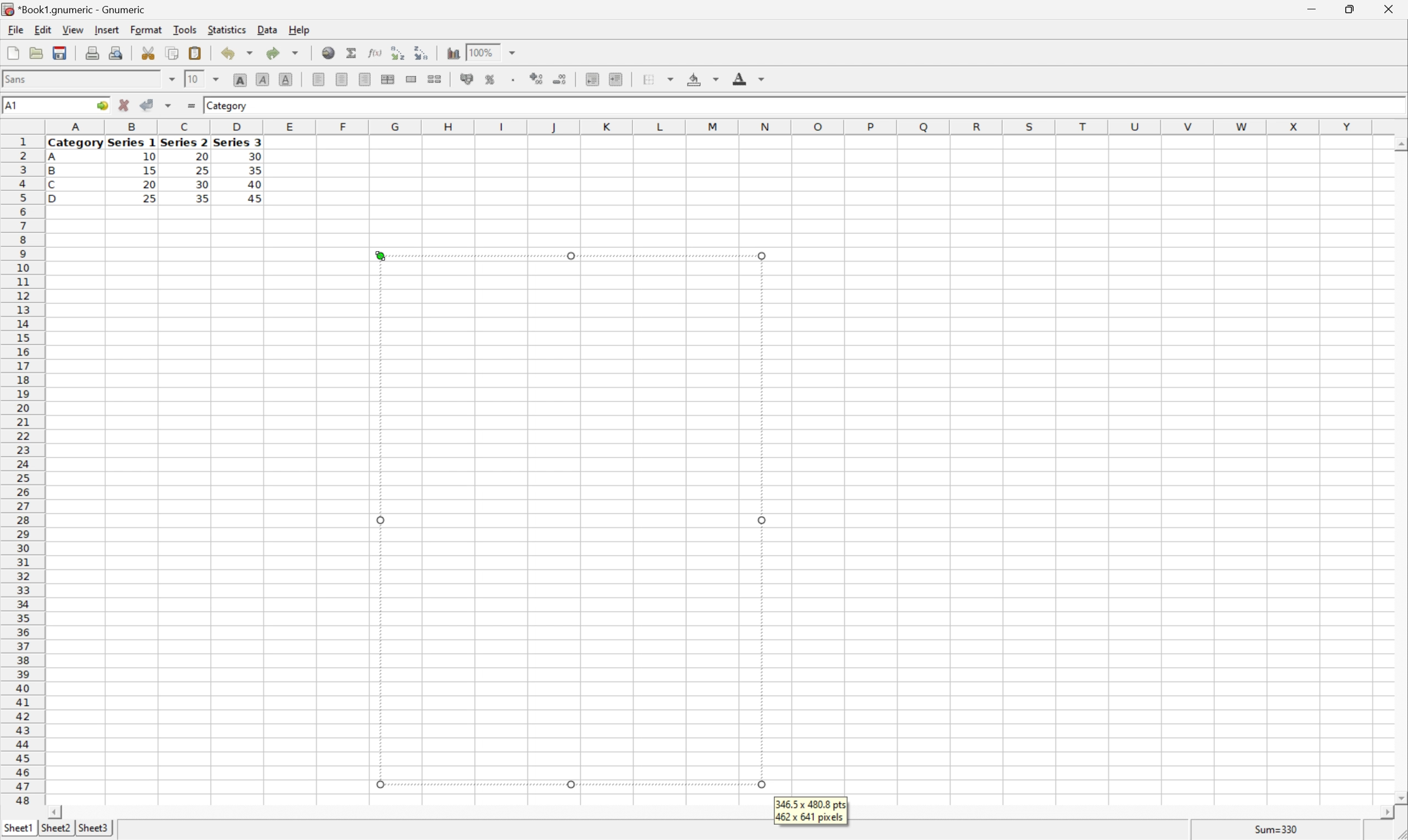  I want to click on Copy selection, so click(173, 52).